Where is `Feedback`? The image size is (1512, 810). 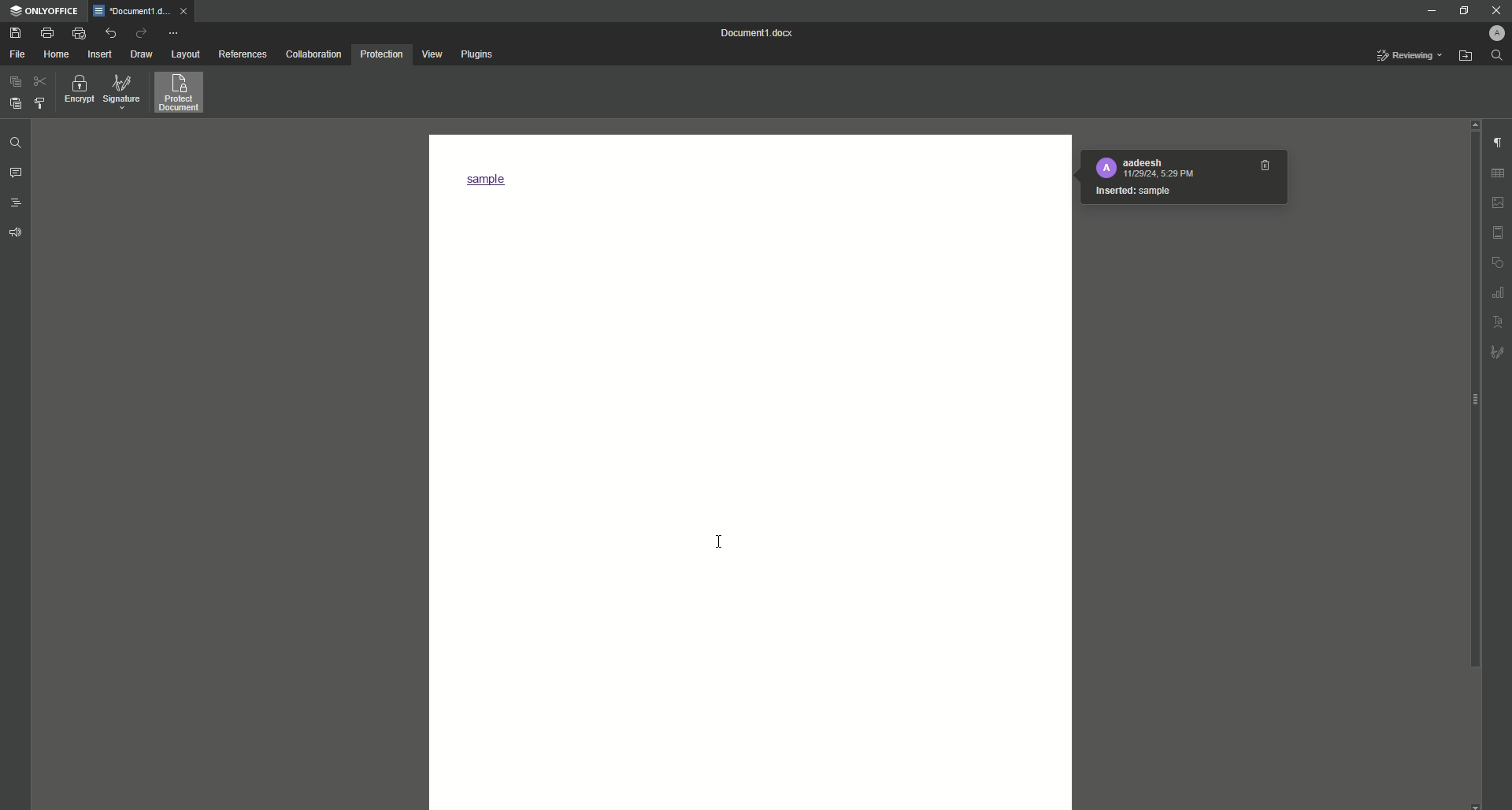
Feedback is located at coordinates (15, 234).